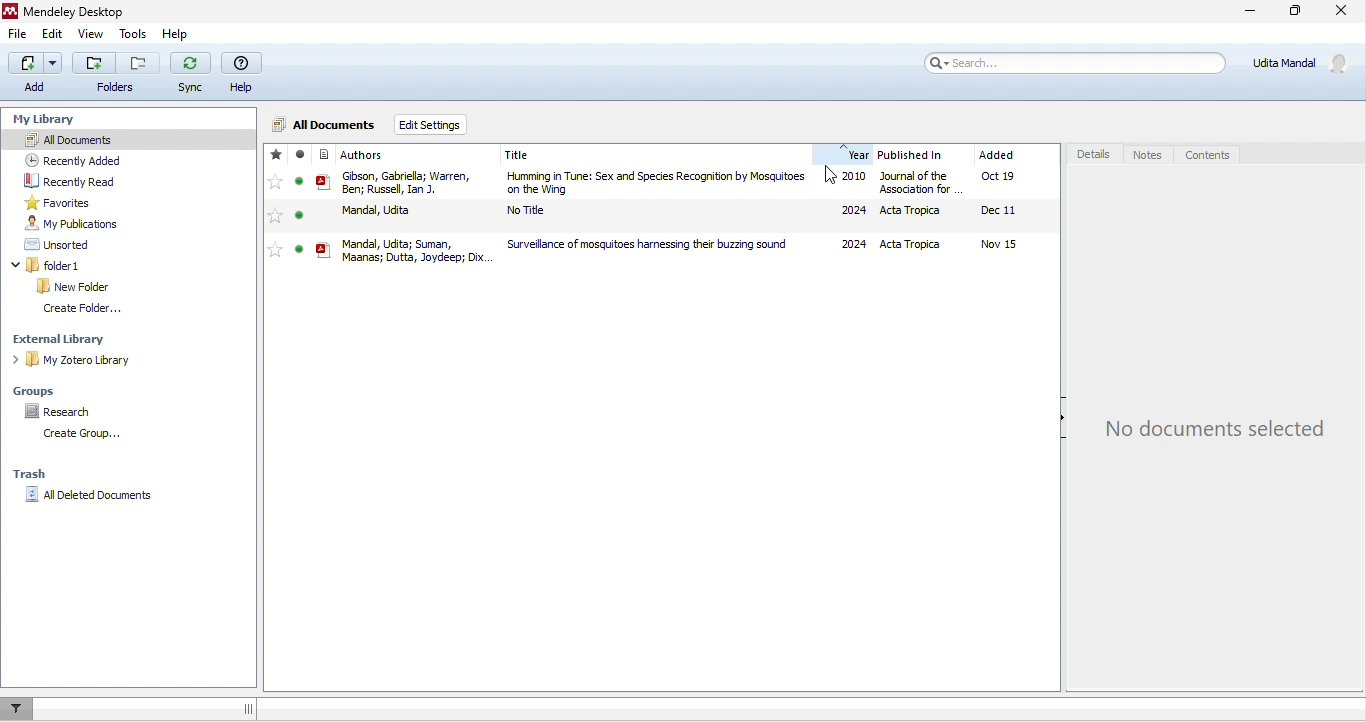 This screenshot has height=722, width=1366. What do you see at coordinates (29, 469) in the screenshot?
I see `trash` at bounding box center [29, 469].